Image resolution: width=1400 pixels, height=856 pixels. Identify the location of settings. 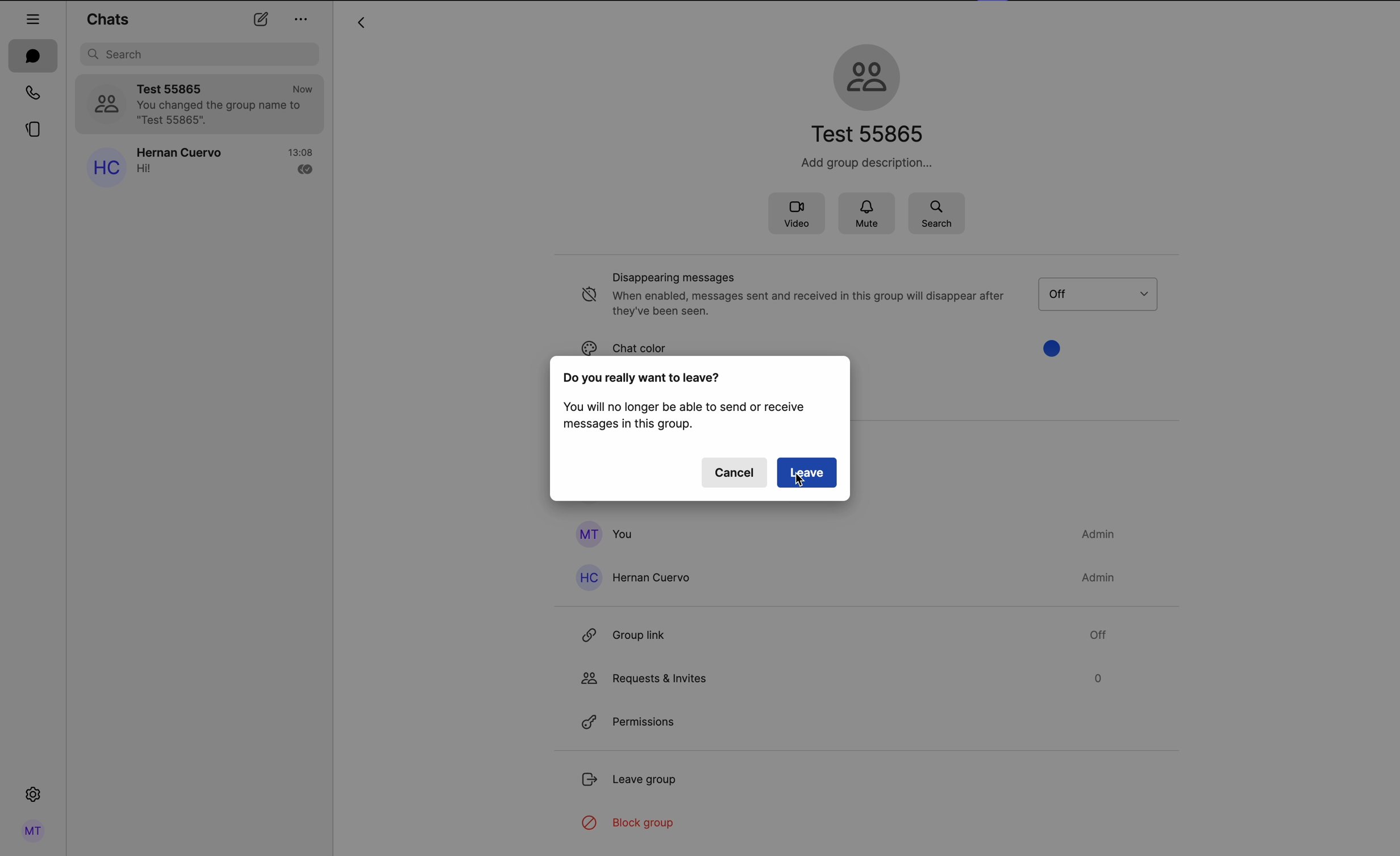
(34, 792).